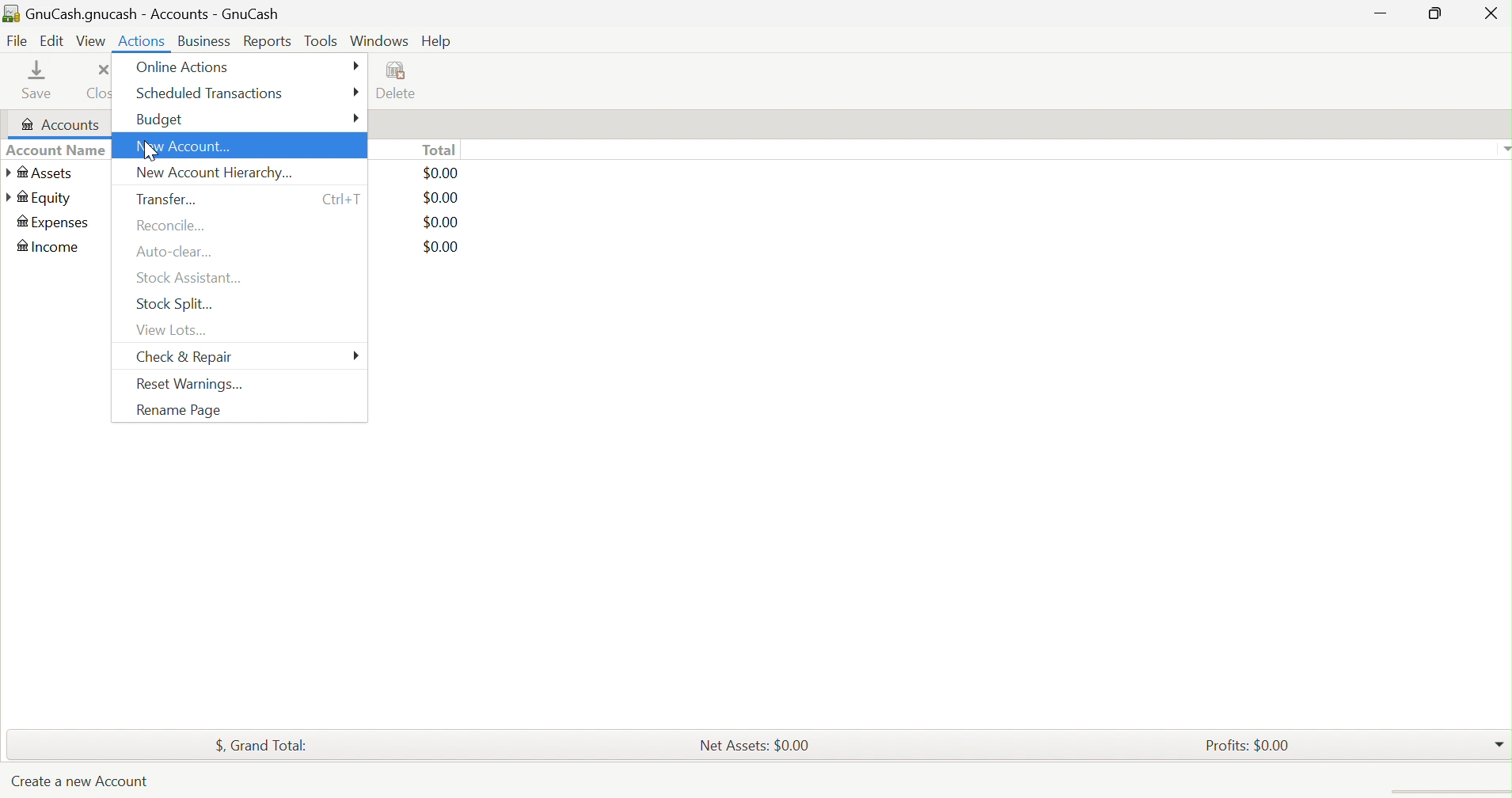 The height and width of the screenshot is (798, 1512). What do you see at coordinates (356, 355) in the screenshot?
I see `More` at bounding box center [356, 355].